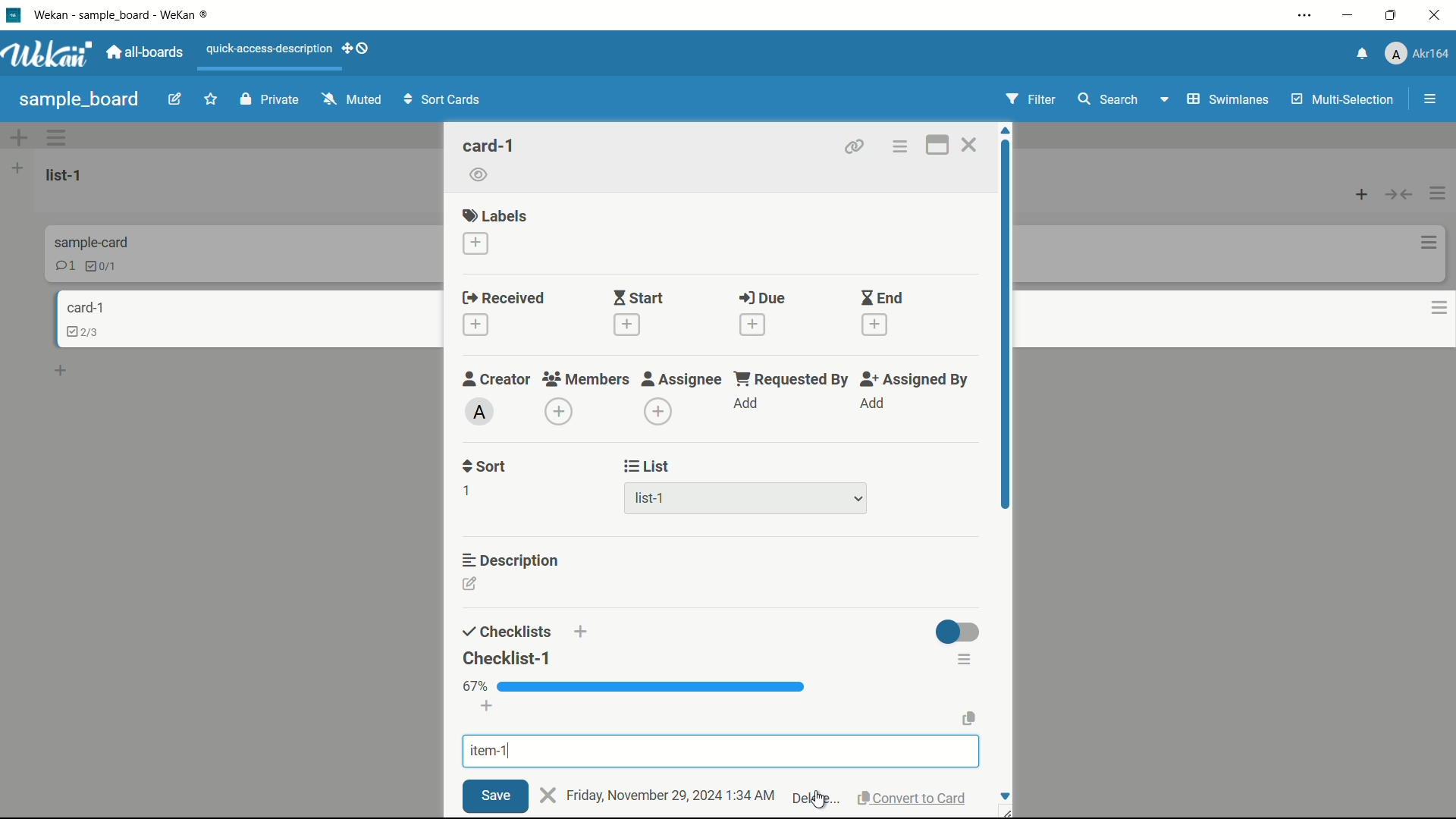  What do you see at coordinates (752, 792) in the screenshot?
I see `time` at bounding box center [752, 792].